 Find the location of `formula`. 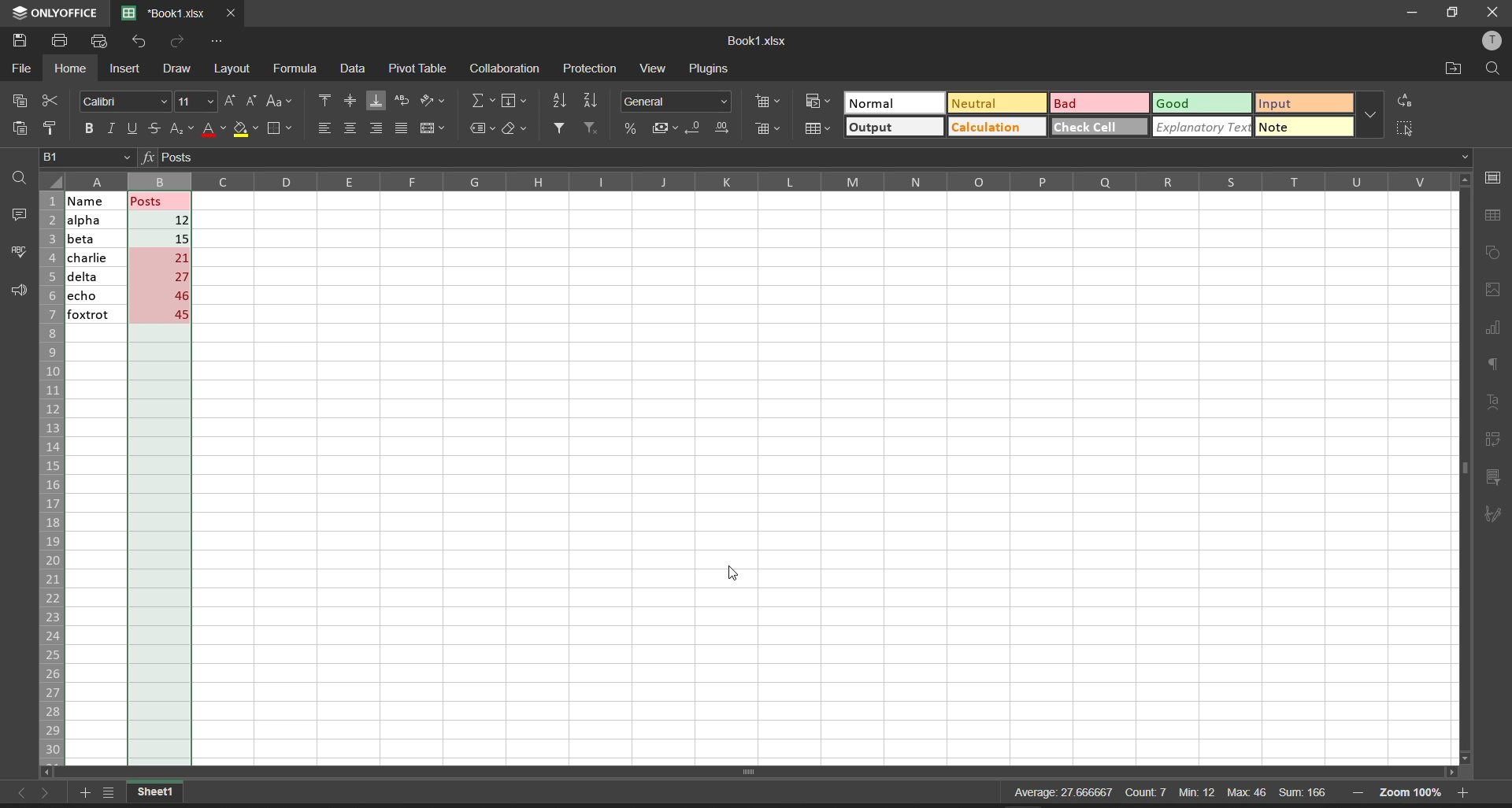

formula is located at coordinates (149, 157).